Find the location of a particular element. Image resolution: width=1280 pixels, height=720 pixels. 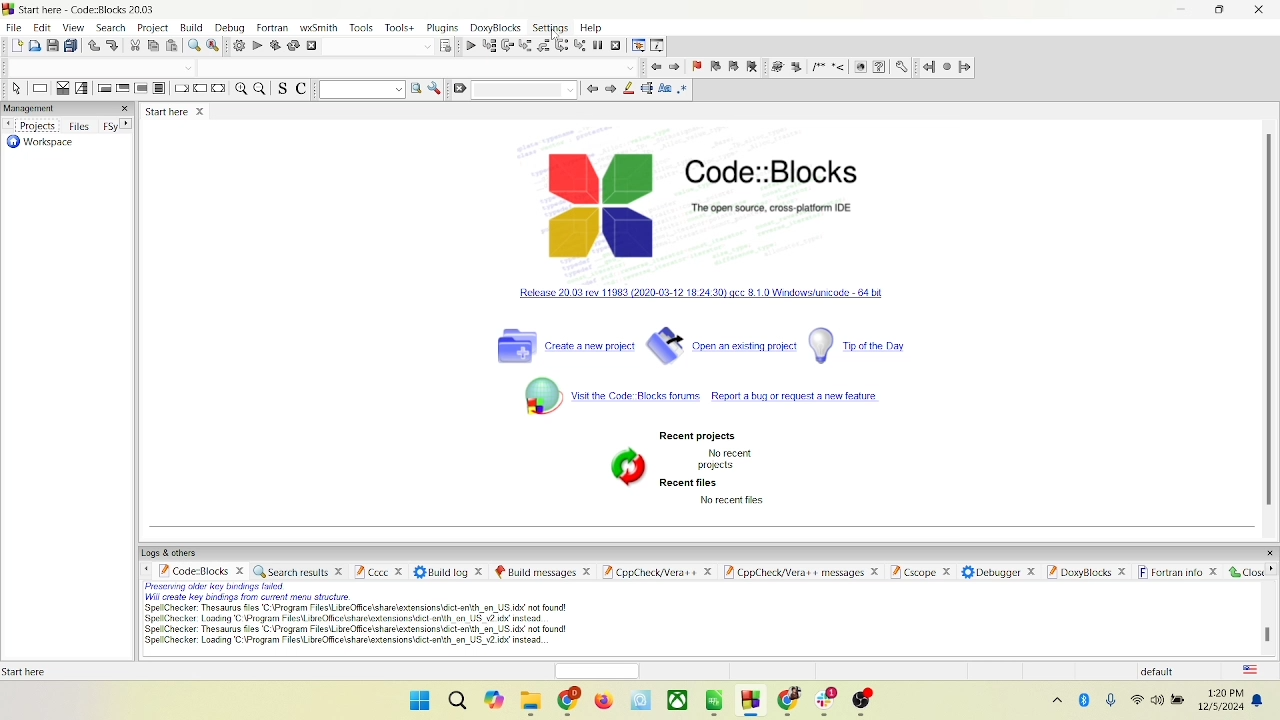

logo is located at coordinates (593, 204).